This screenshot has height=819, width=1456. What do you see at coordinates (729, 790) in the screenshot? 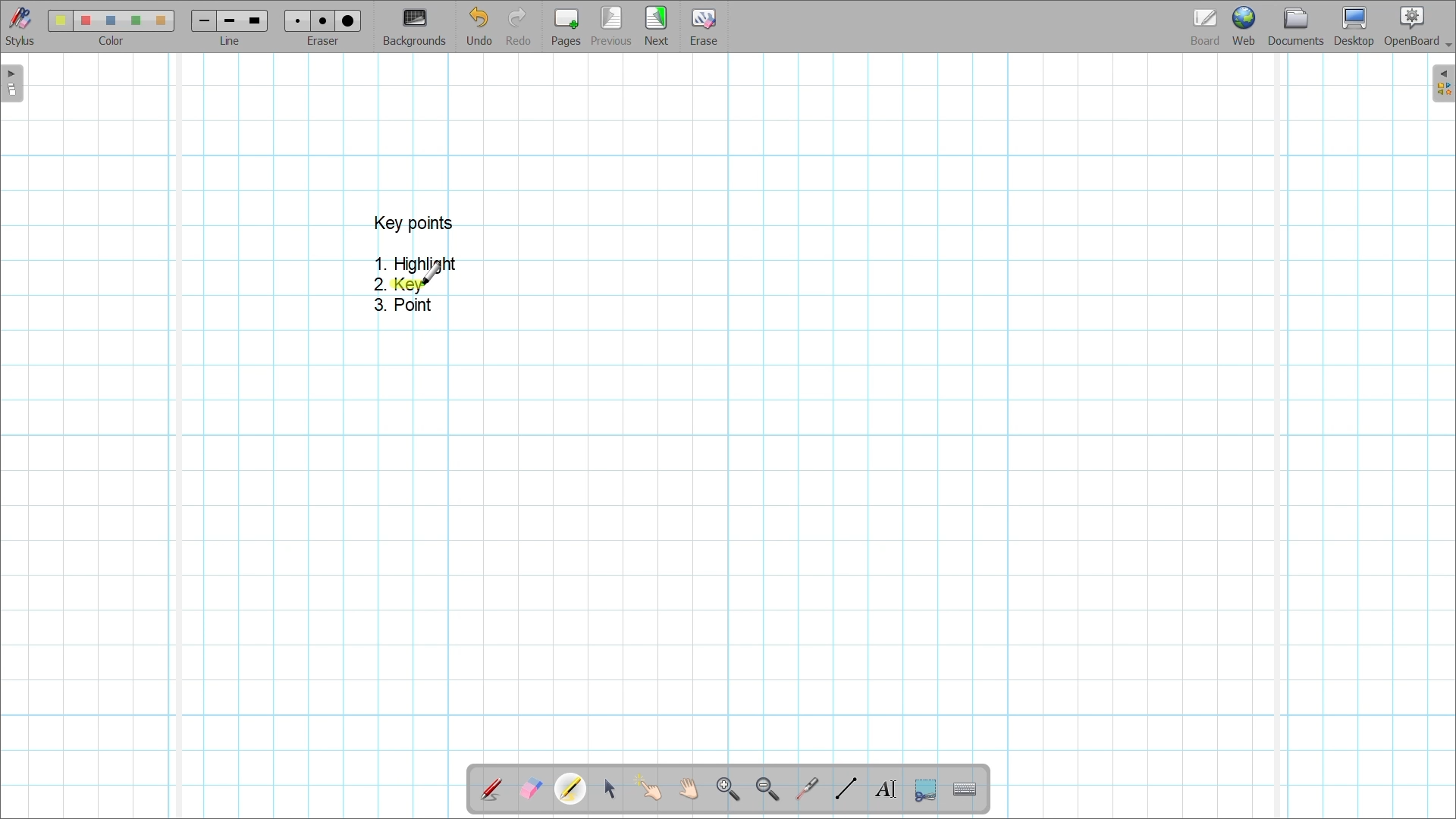
I see `Zoom in` at bounding box center [729, 790].